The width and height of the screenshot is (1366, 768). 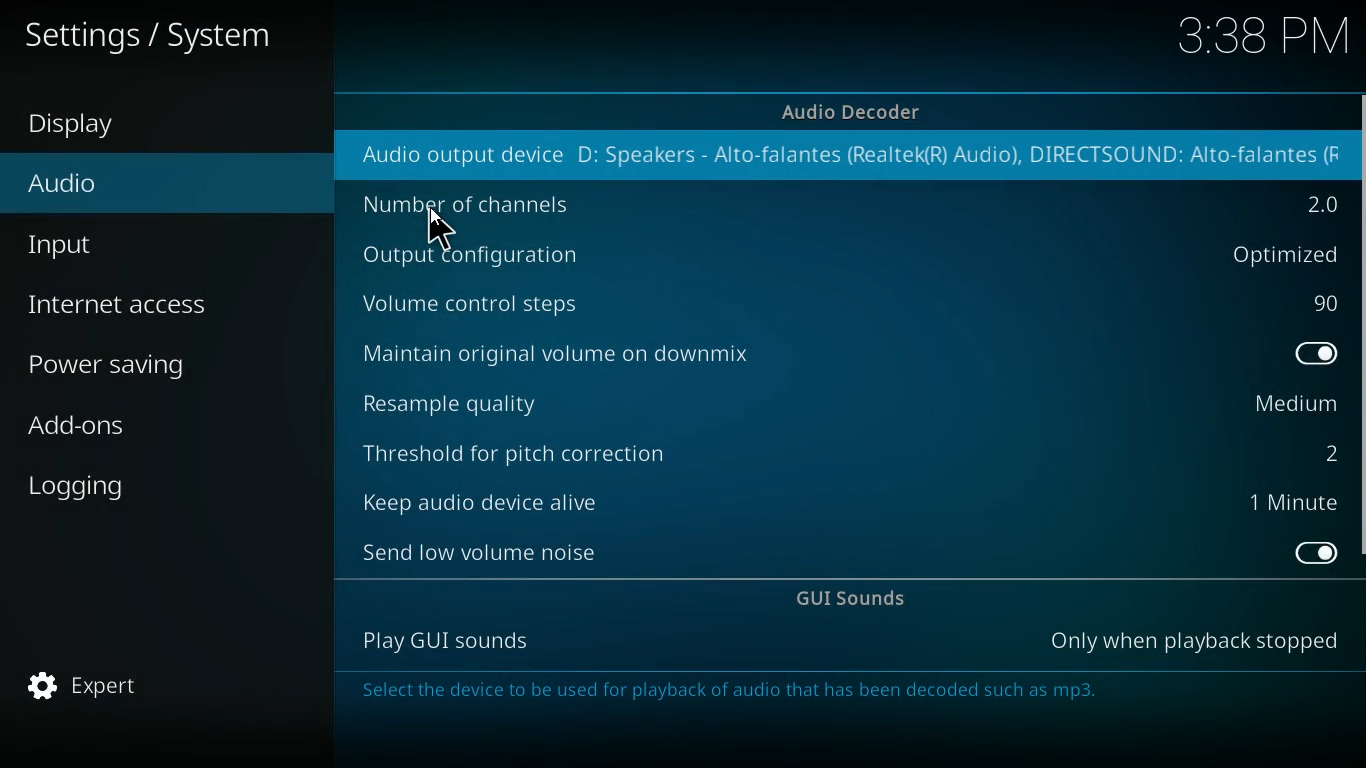 What do you see at coordinates (136, 482) in the screenshot?
I see `logging` at bounding box center [136, 482].